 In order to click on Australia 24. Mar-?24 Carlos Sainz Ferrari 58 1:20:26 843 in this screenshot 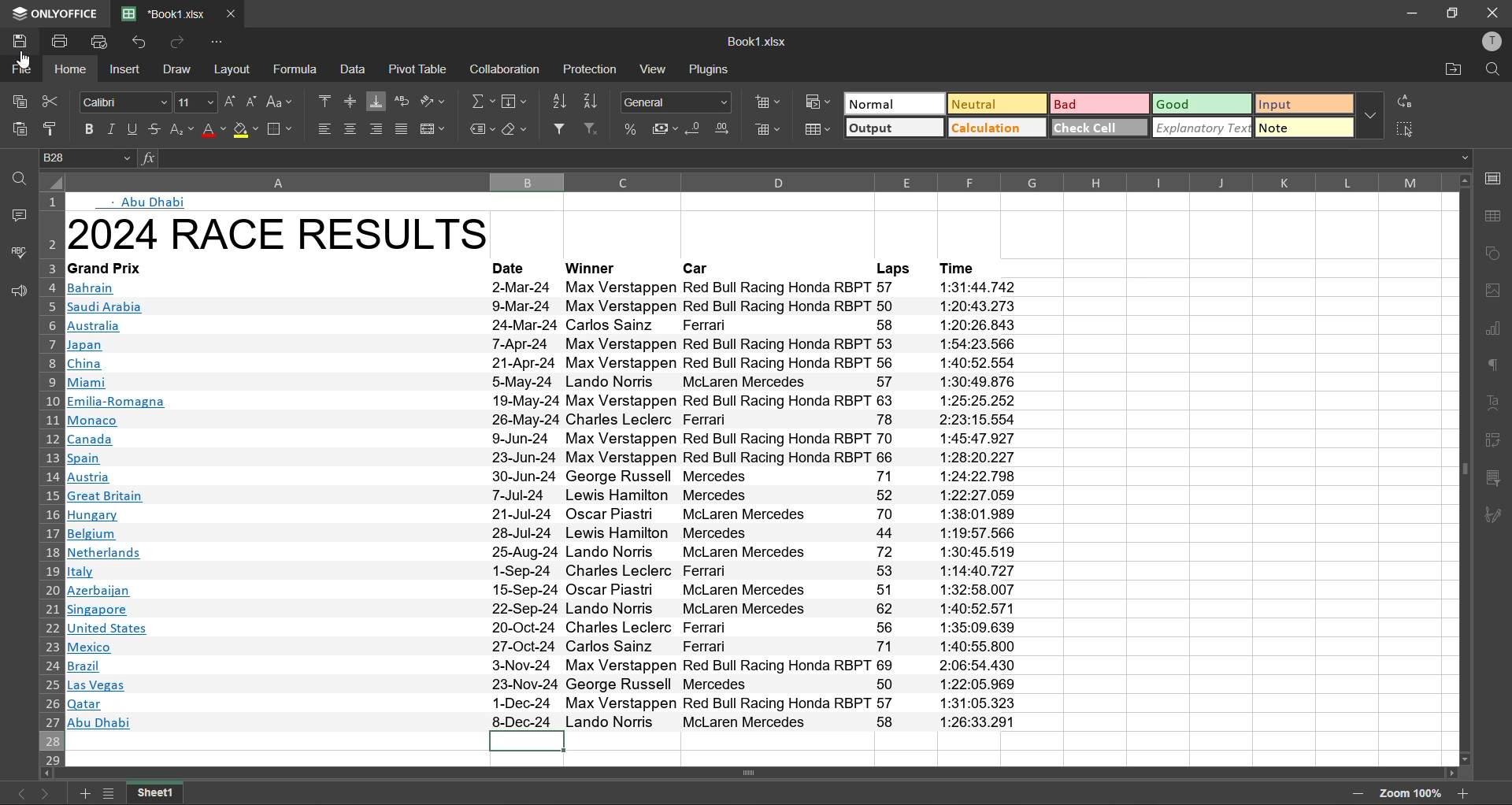, I will do `click(543, 327)`.